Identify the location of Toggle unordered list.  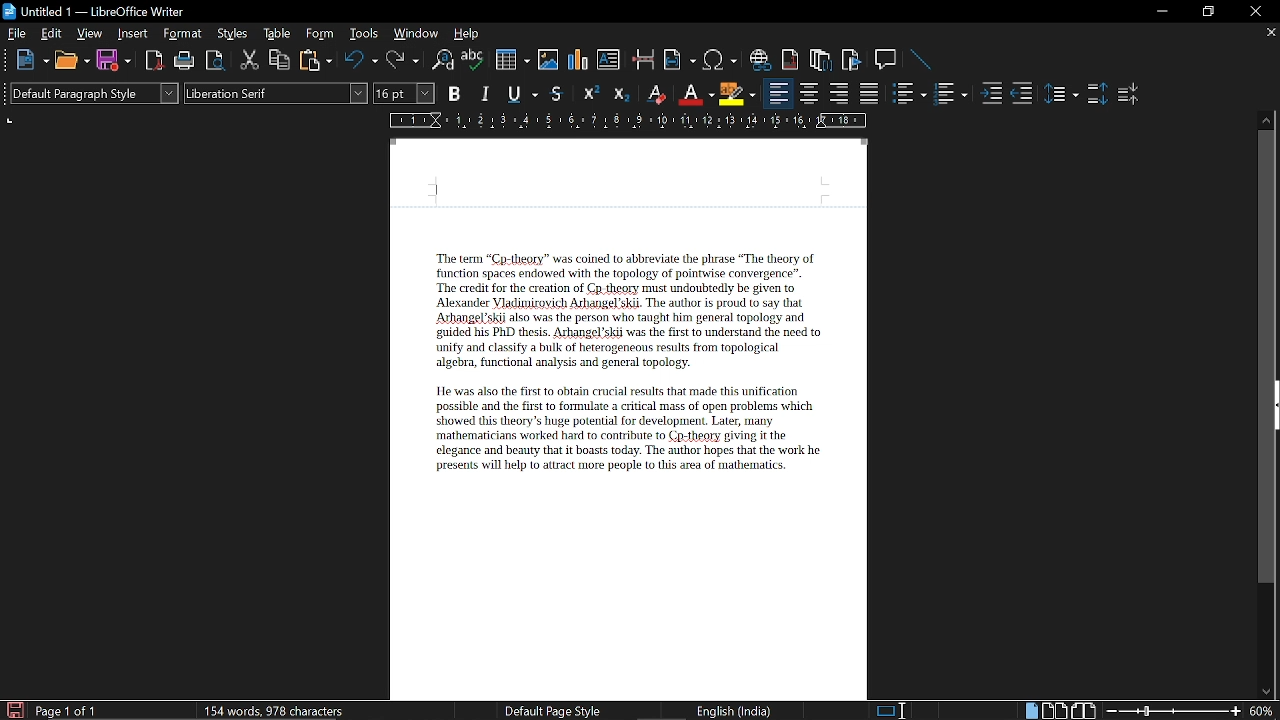
(949, 94).